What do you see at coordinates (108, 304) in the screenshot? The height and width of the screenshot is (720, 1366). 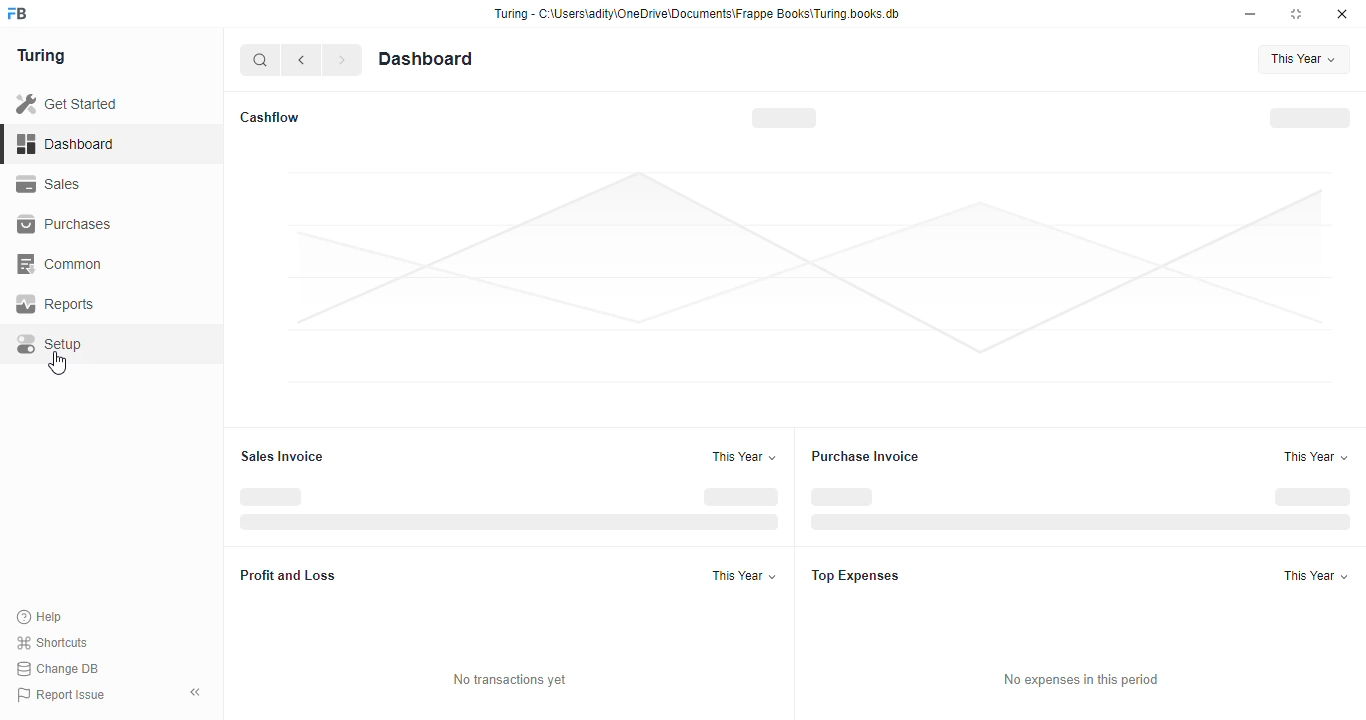 I see `Reports.` at bounding box center [108, 304].